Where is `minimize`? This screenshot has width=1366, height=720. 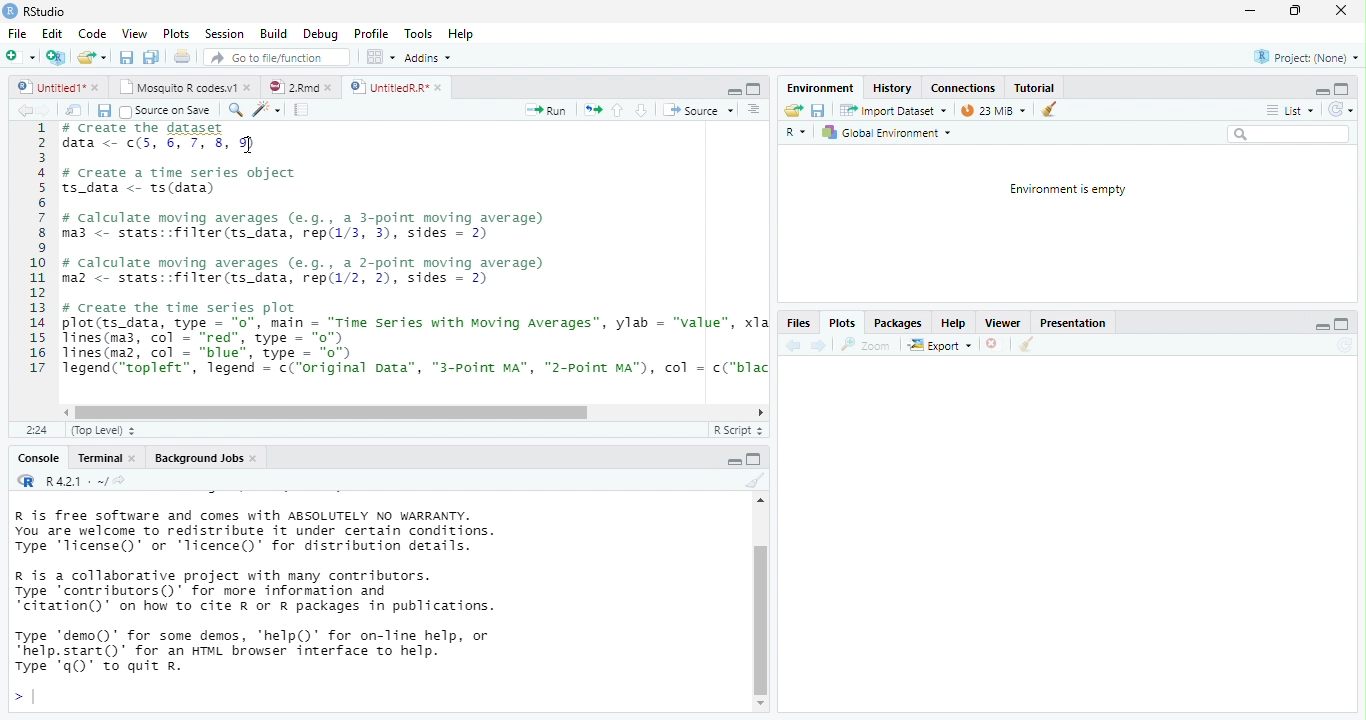 minimize is located at coordinates (754, 458).